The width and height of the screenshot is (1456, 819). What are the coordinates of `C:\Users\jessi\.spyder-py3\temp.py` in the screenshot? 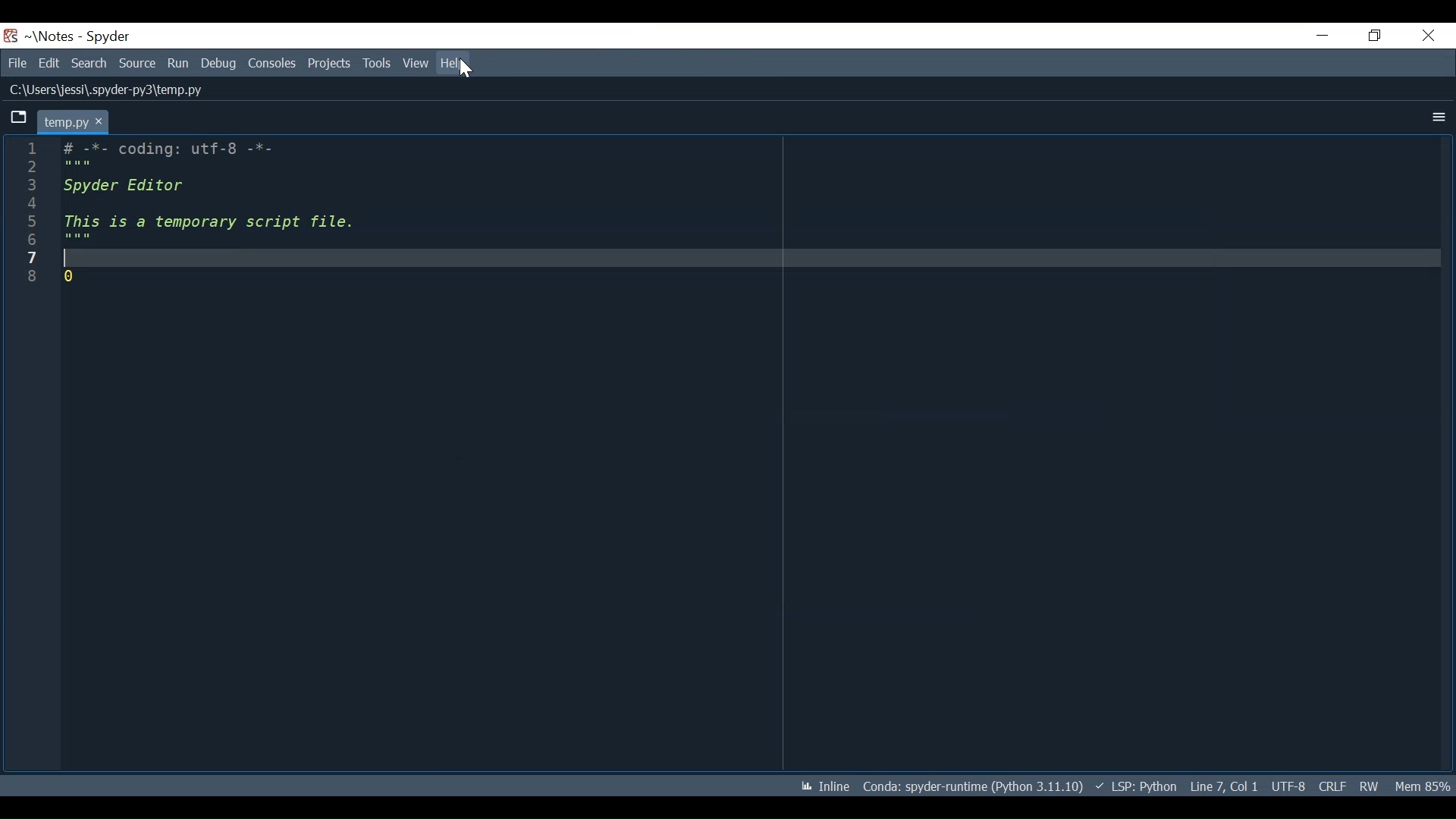 It's located at (108, 89).